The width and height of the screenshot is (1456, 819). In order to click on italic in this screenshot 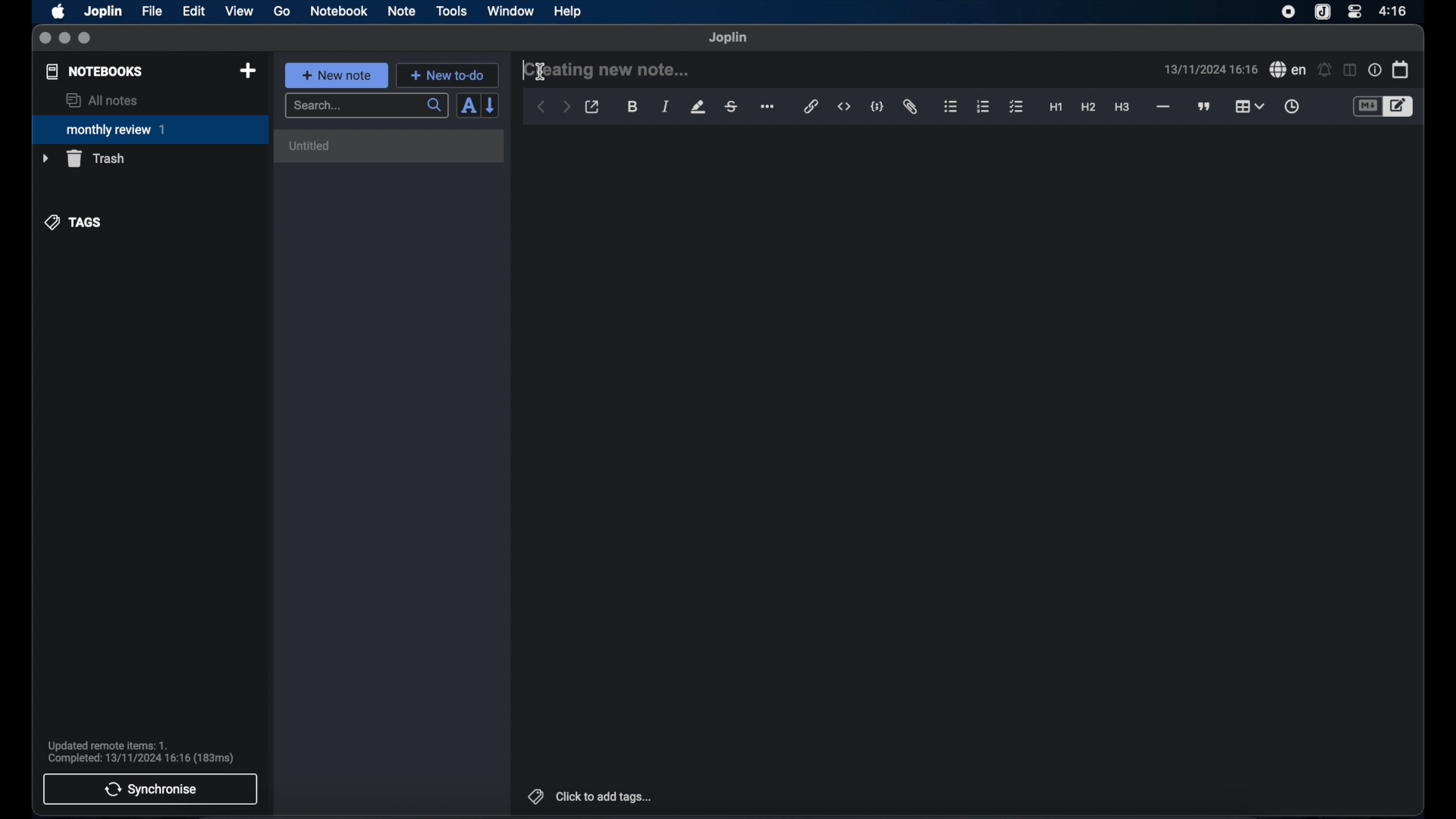, I will do `click(666, 106)`.